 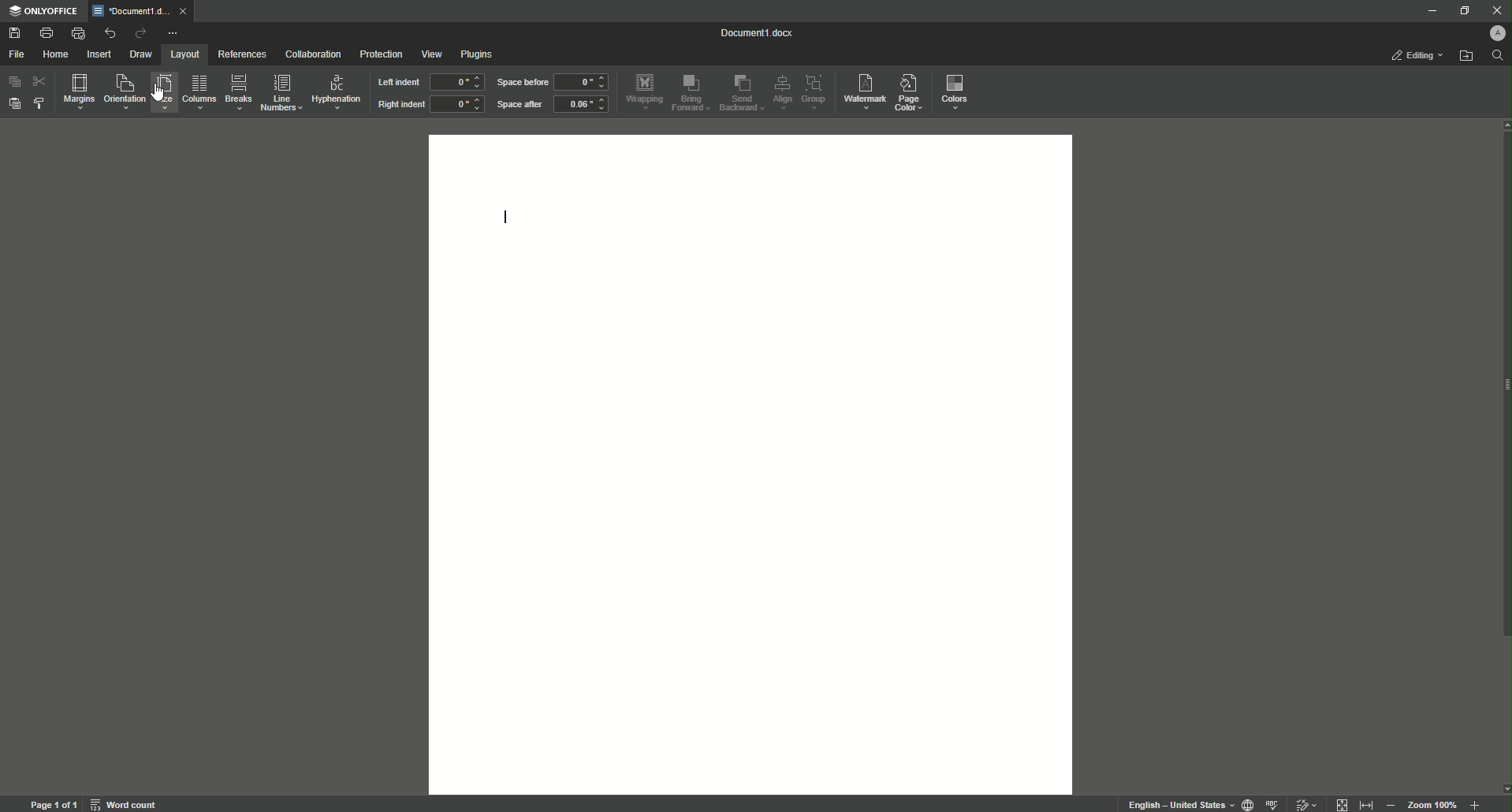 I want to click on Breaks, so click(x=239, y=93).